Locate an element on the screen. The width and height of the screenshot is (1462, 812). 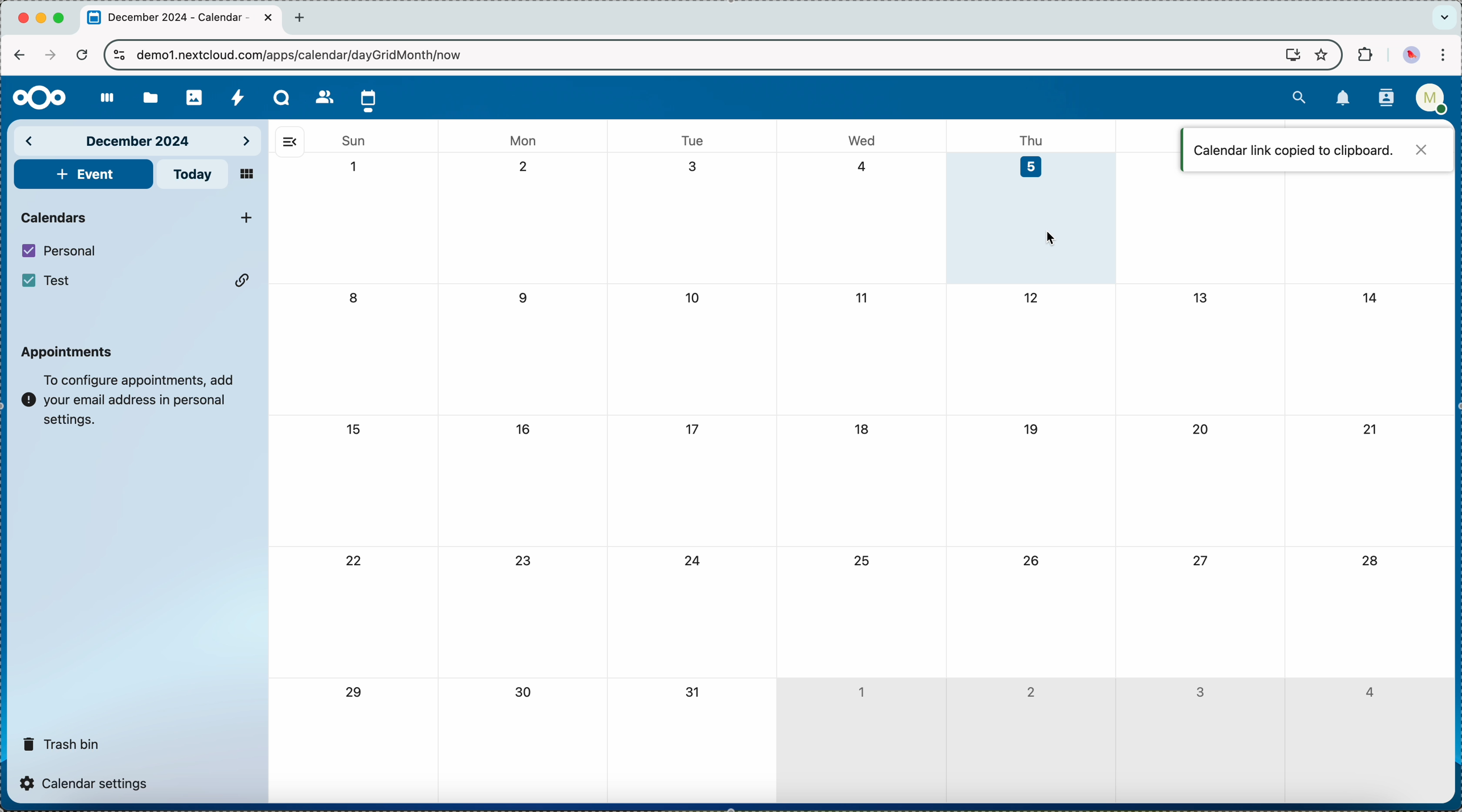
close Chrome is located at coordinates (23, 19).